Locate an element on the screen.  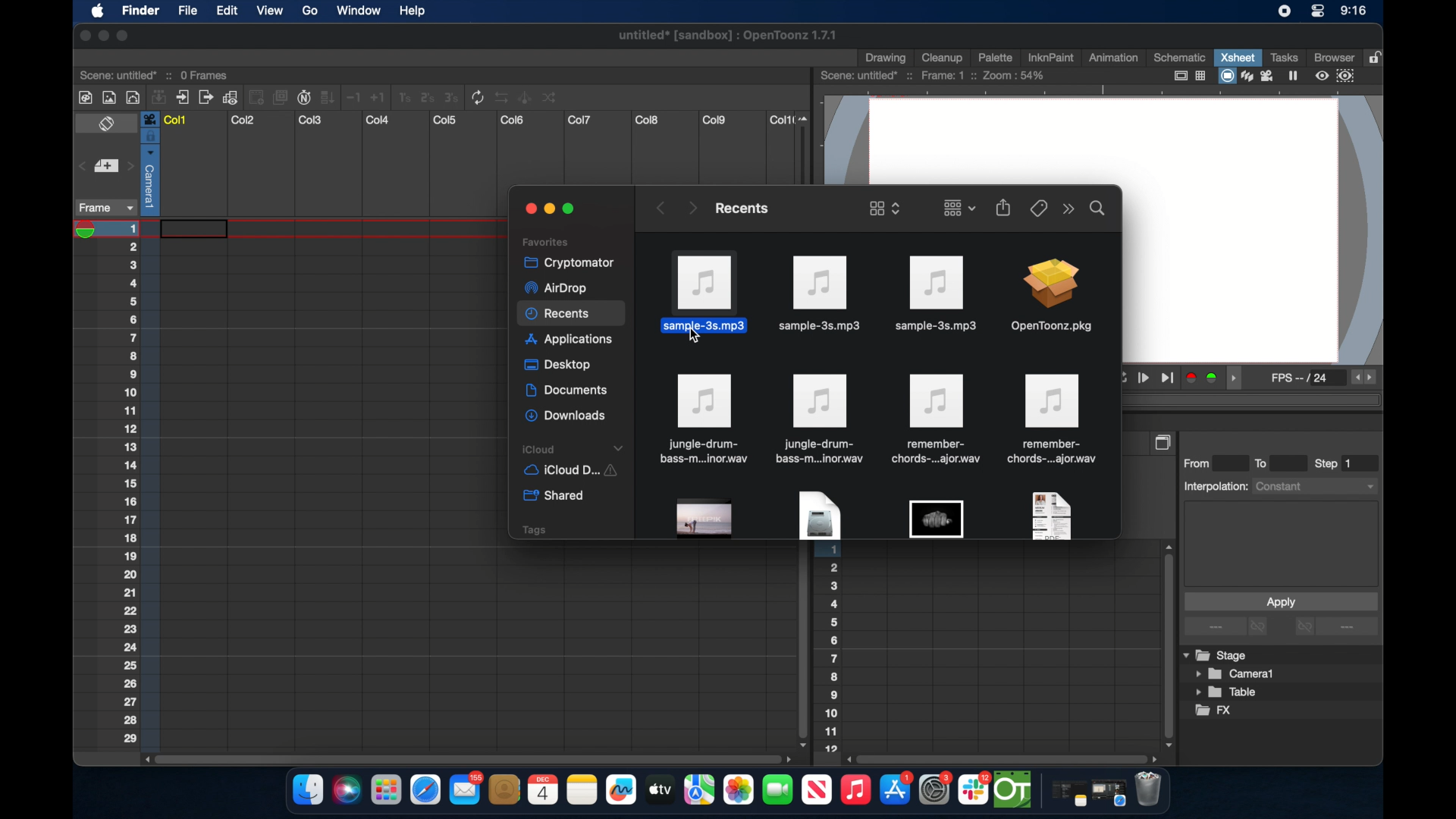
mp3 icon is located at coordinates (821, 294).